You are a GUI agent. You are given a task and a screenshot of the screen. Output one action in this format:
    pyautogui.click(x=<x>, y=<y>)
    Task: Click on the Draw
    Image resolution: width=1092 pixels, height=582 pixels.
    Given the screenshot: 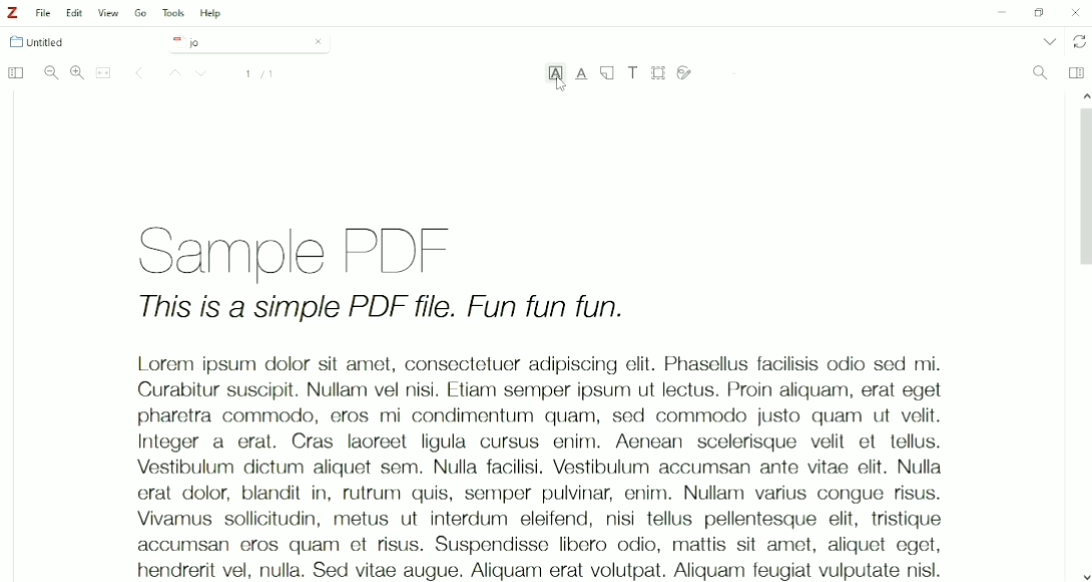 What is the action you would take?
    pyautogui.click(x=685, y=71)
    